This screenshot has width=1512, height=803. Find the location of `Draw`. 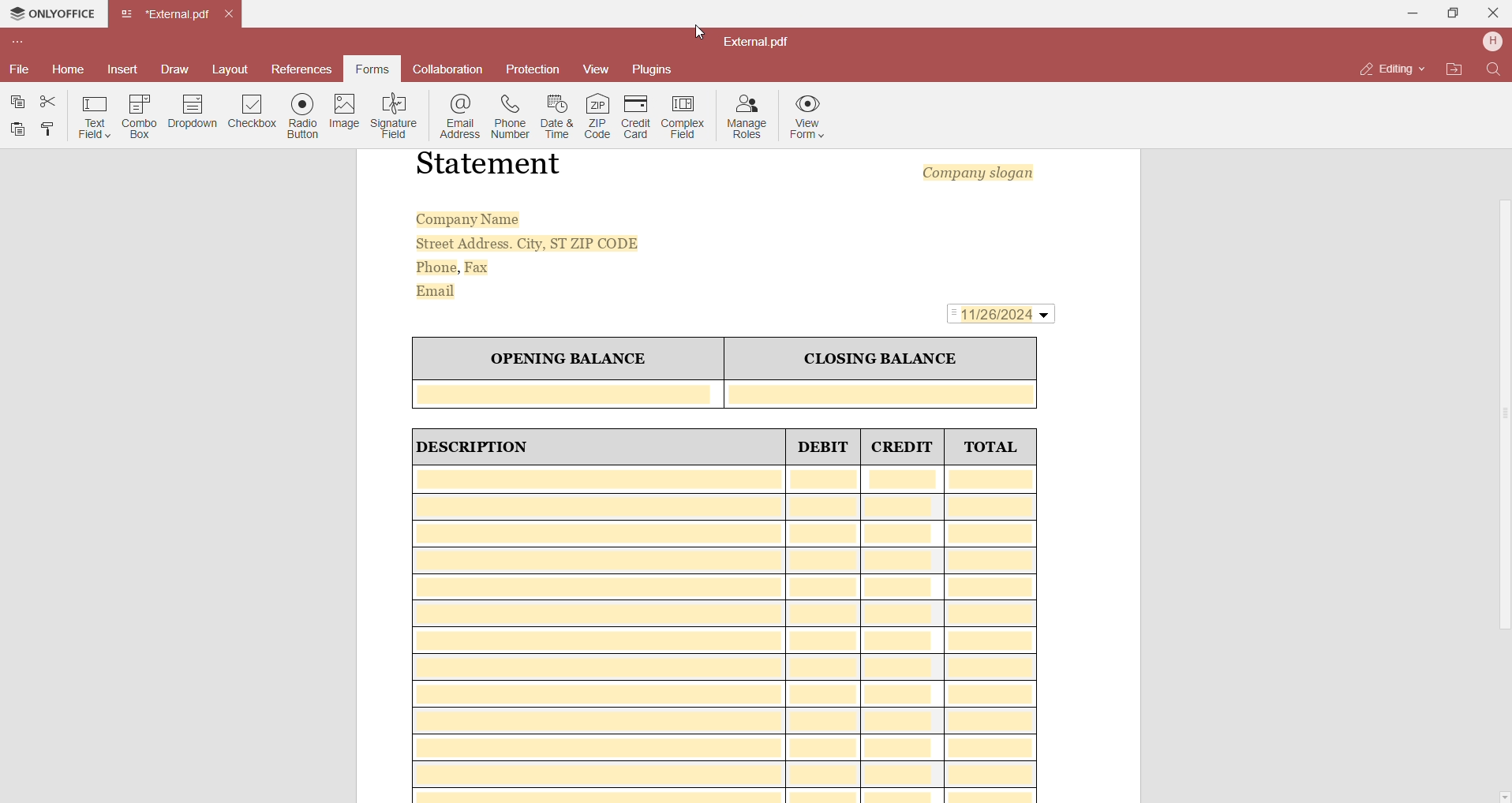

Draw is located at coordinates (174, 67).